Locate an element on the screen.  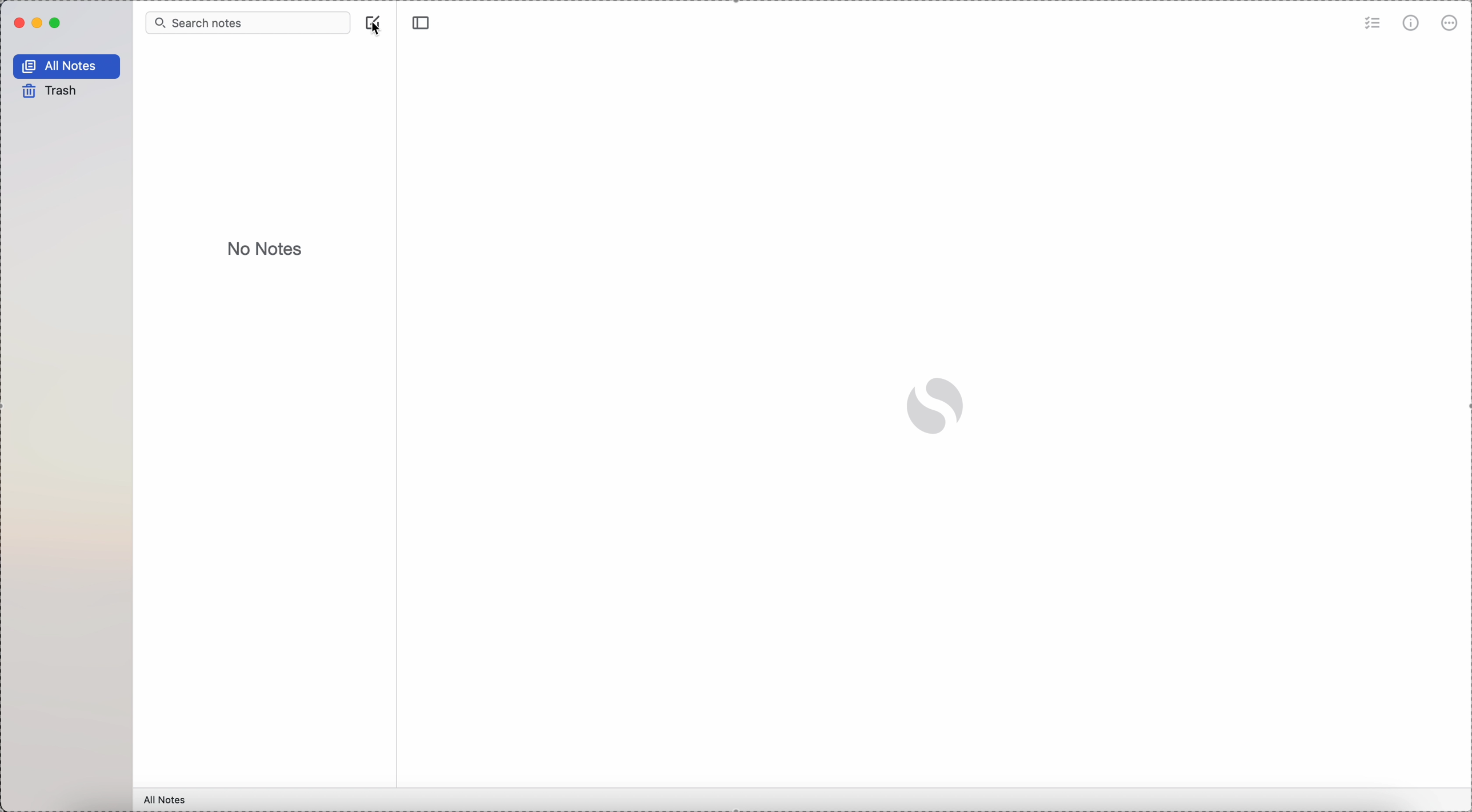
Simplenote logo is located at coordinates (937, 407).